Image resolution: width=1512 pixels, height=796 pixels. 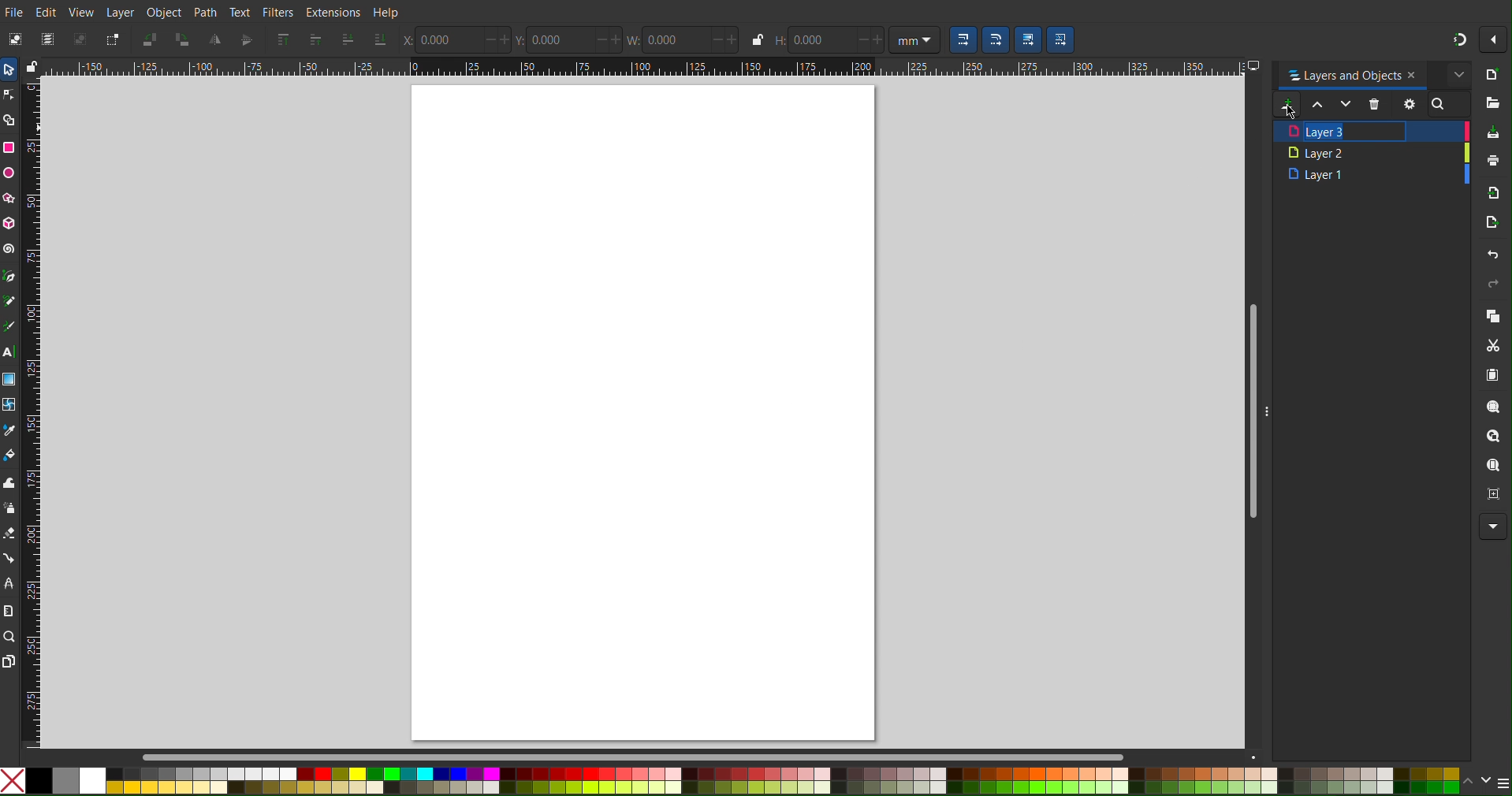 I want to click on Erase Tool, so click(x=11, y=536).